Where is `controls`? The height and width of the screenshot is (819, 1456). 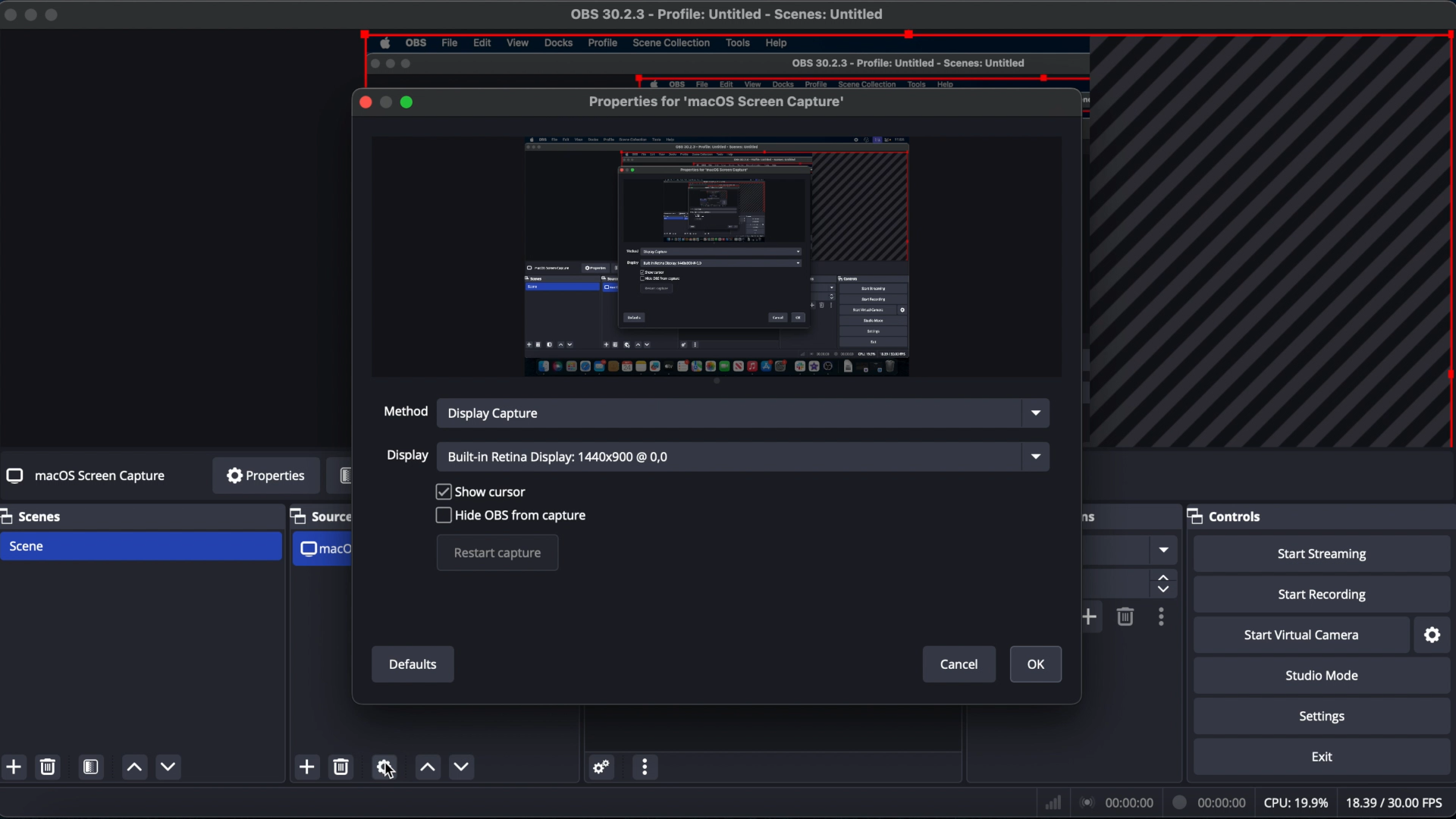 controls is located at coordinates (1223, 516).